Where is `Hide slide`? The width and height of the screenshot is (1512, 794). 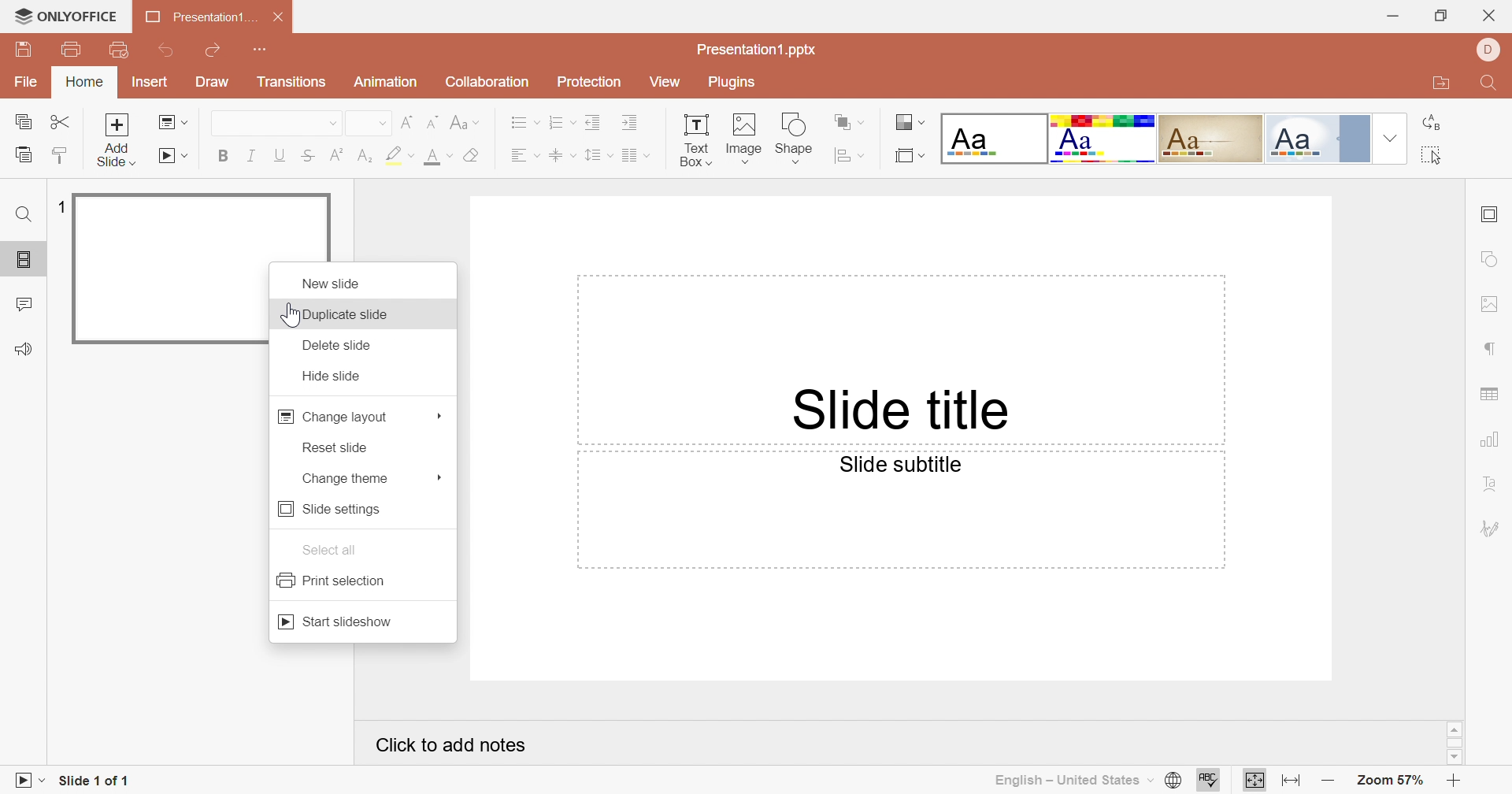 Hide slide is located at coordinates (332, 377).